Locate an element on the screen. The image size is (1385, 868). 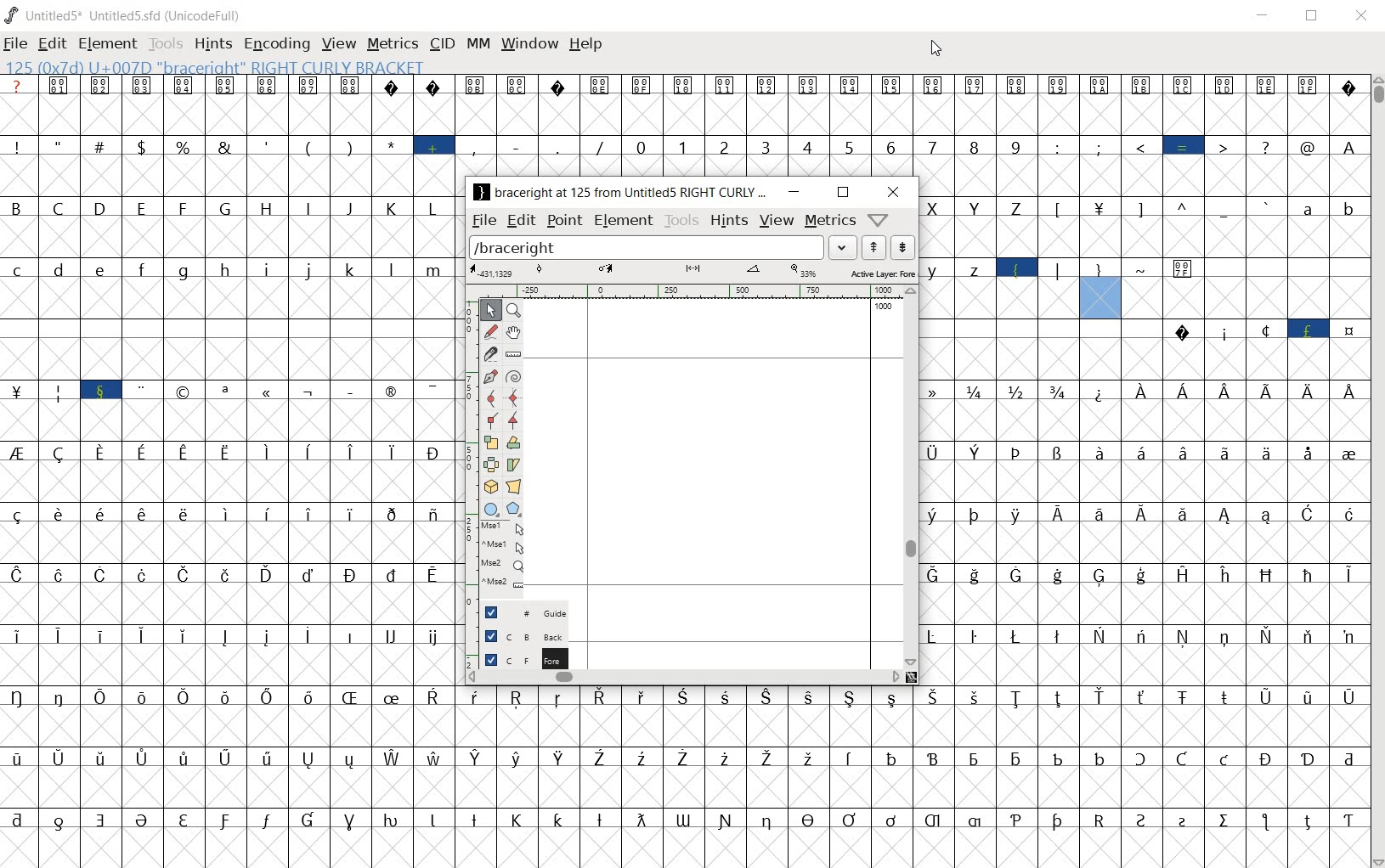
metrics is located at coordinates (829, 222).